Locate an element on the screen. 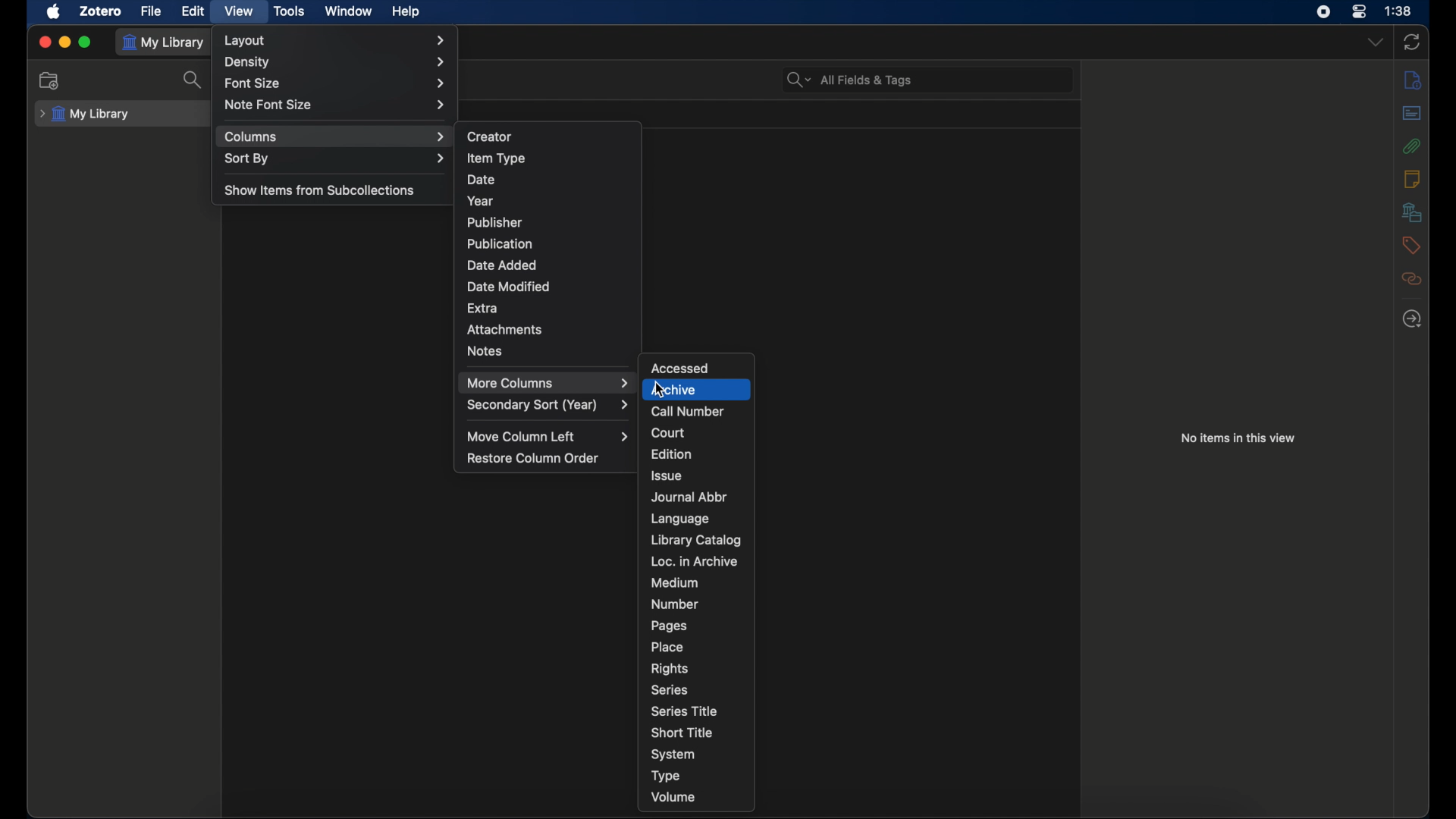 Image resolution: width=1456 pixels, height=819 pixels. archive is located at coordinates (697, 389).